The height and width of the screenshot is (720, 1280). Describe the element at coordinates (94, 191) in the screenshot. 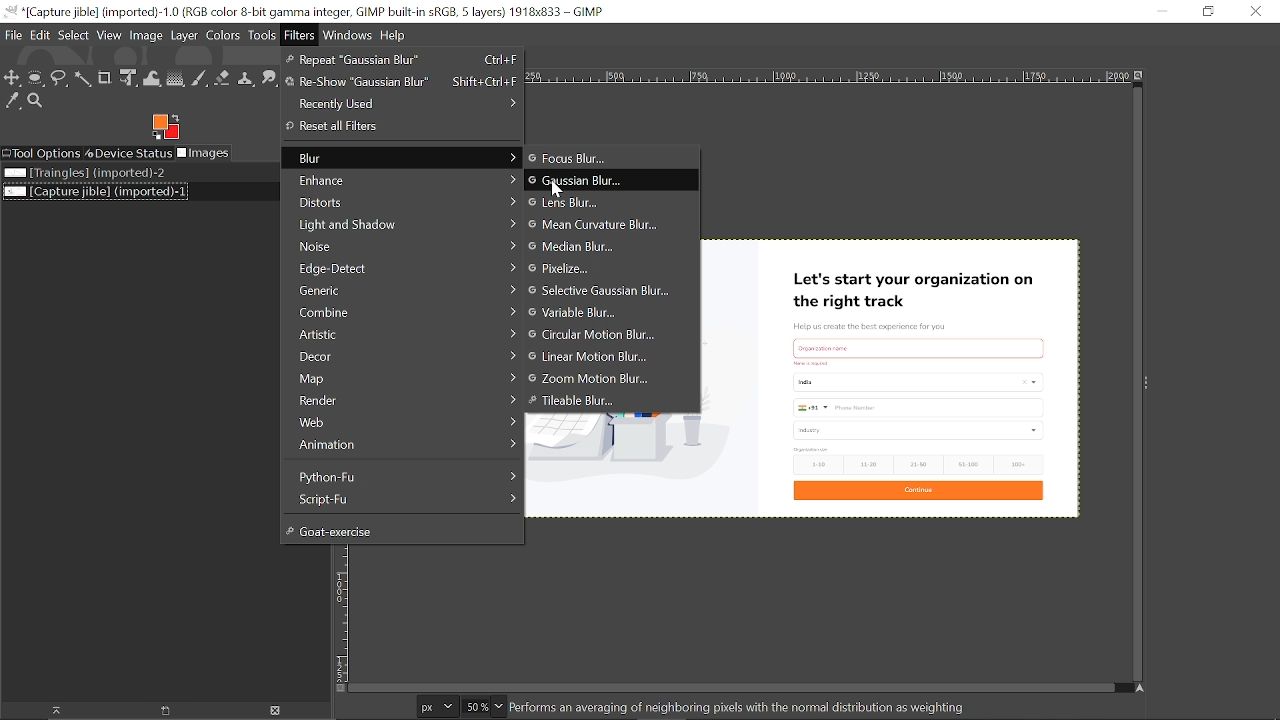

I see `Current file` at that location.